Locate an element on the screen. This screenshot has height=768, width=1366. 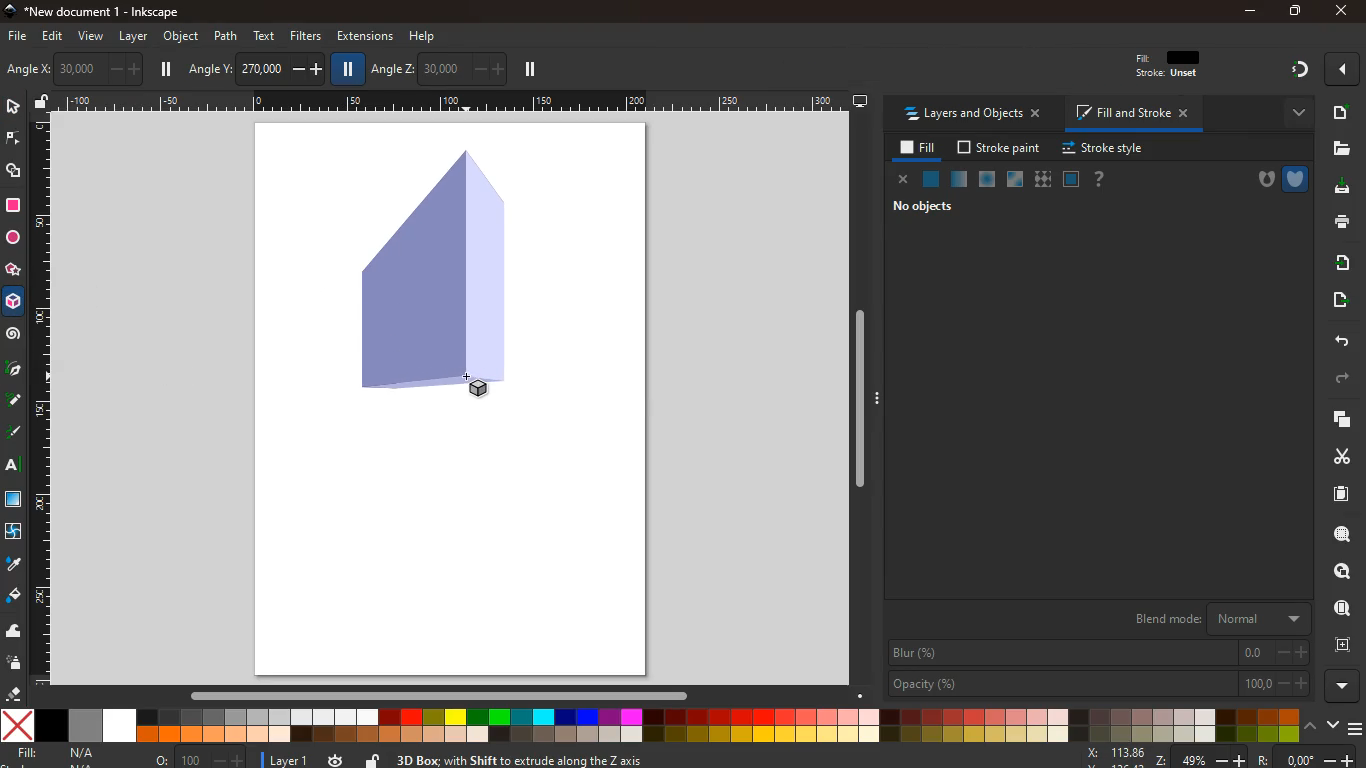
message is located at coordinates (705, 759).